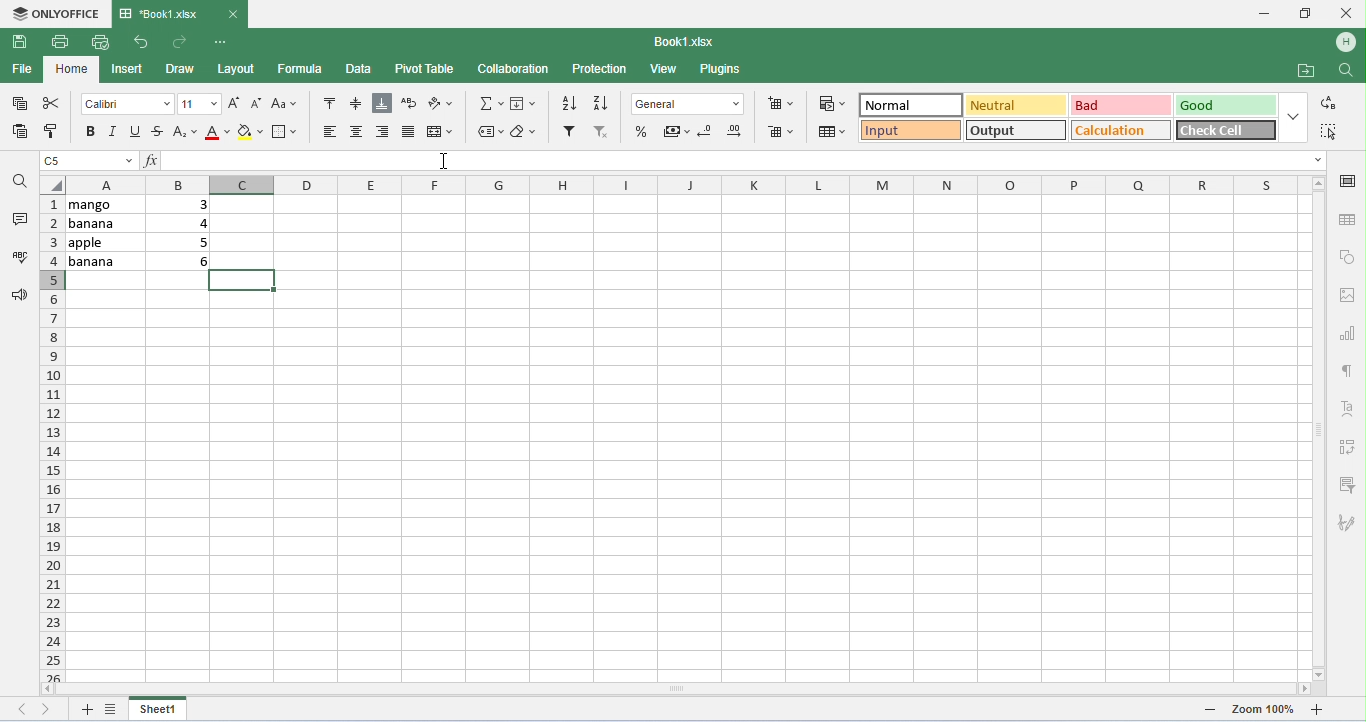 Image resolution: width=1366 pixels, height=722 pixels. What do you see at coordinates (255, 104) in the screenshot?
I see `decrement font size` at bounding box center [255, 104].